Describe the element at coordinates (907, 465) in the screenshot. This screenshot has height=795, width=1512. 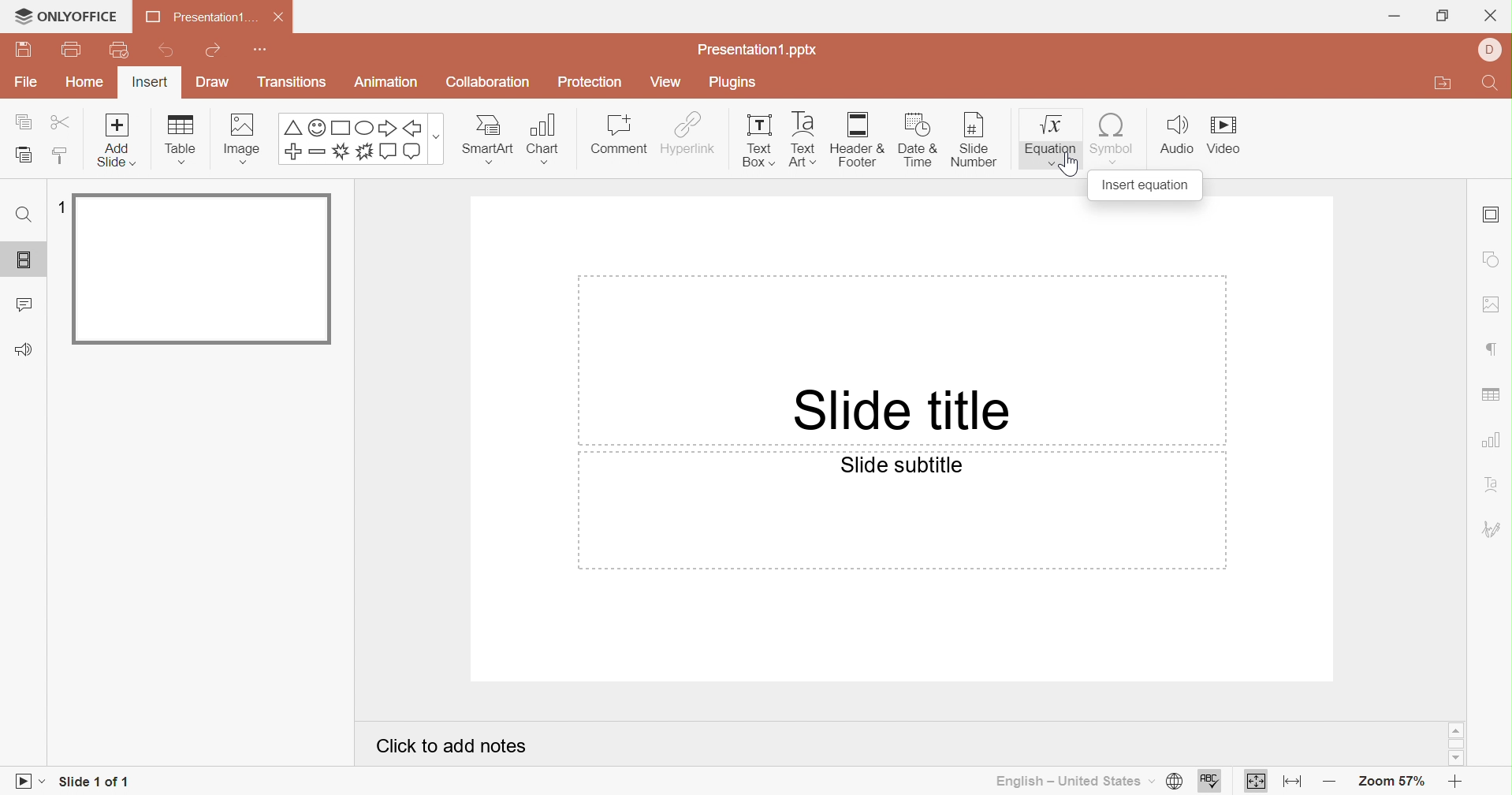
I see `Slide subtitle` at that location.